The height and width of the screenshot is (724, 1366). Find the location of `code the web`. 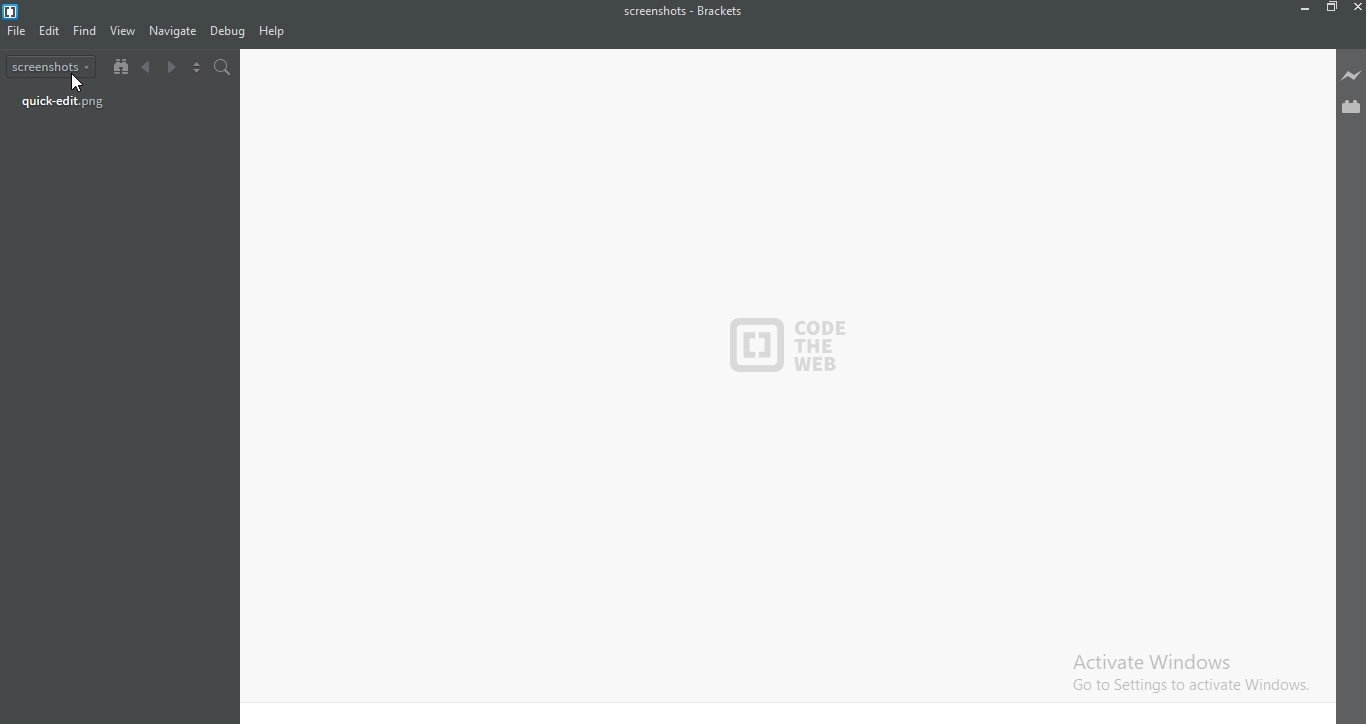

code the web is located at coordinates (787, 346).